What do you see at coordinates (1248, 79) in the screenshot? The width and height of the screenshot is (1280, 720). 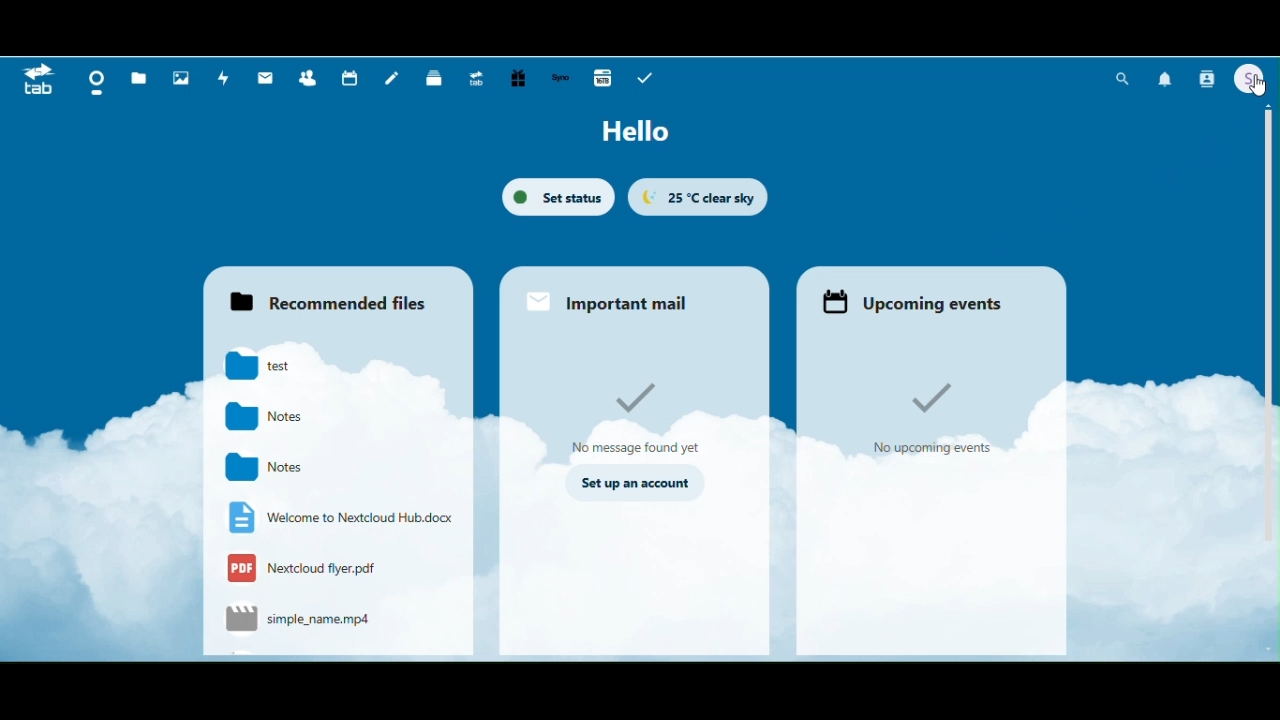 I see `Account icon` at bounding box center [1248, 79].